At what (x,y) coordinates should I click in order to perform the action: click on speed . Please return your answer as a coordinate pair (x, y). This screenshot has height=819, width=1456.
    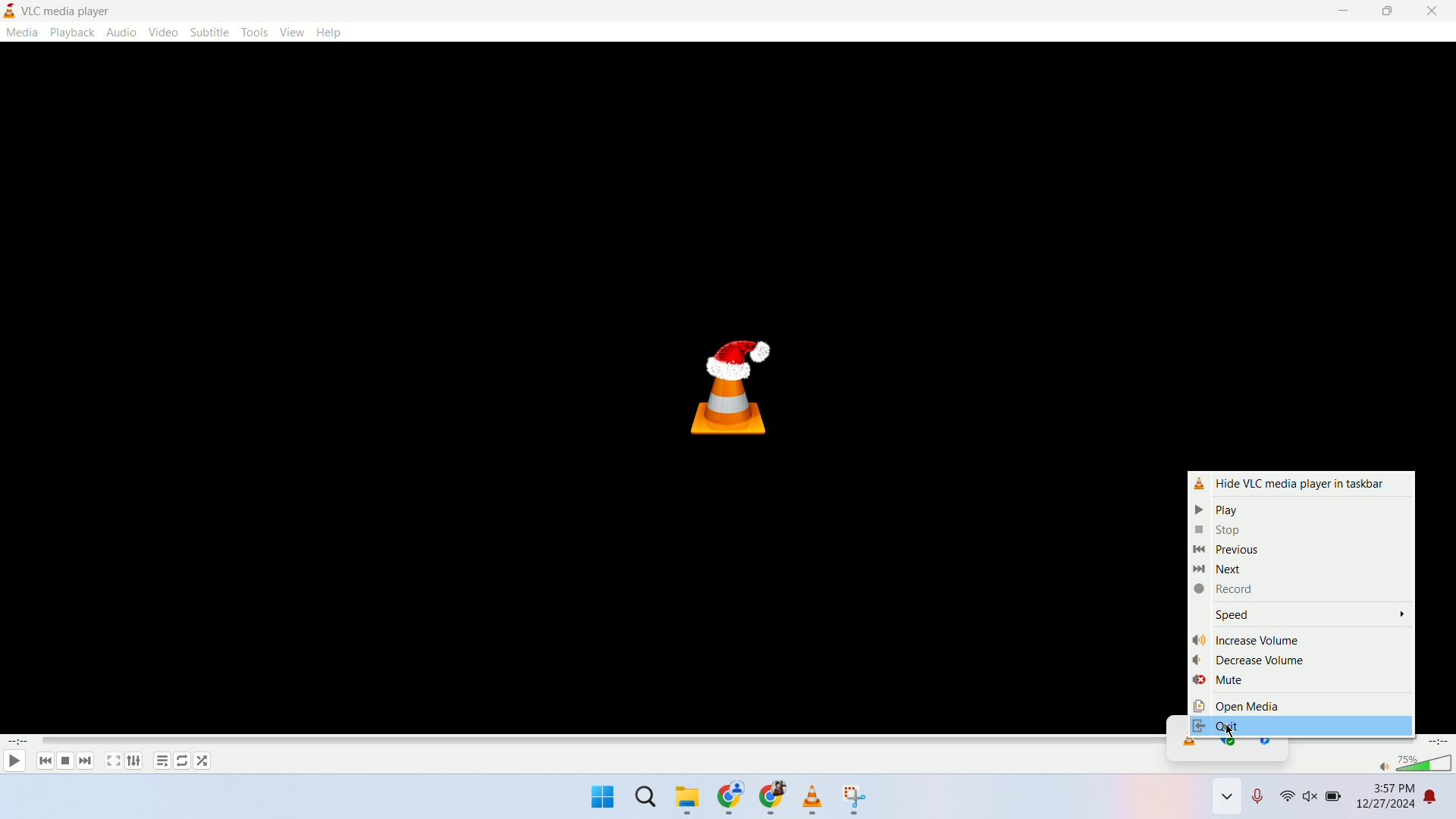
    Looking at the image, I should click on (1302, 614).